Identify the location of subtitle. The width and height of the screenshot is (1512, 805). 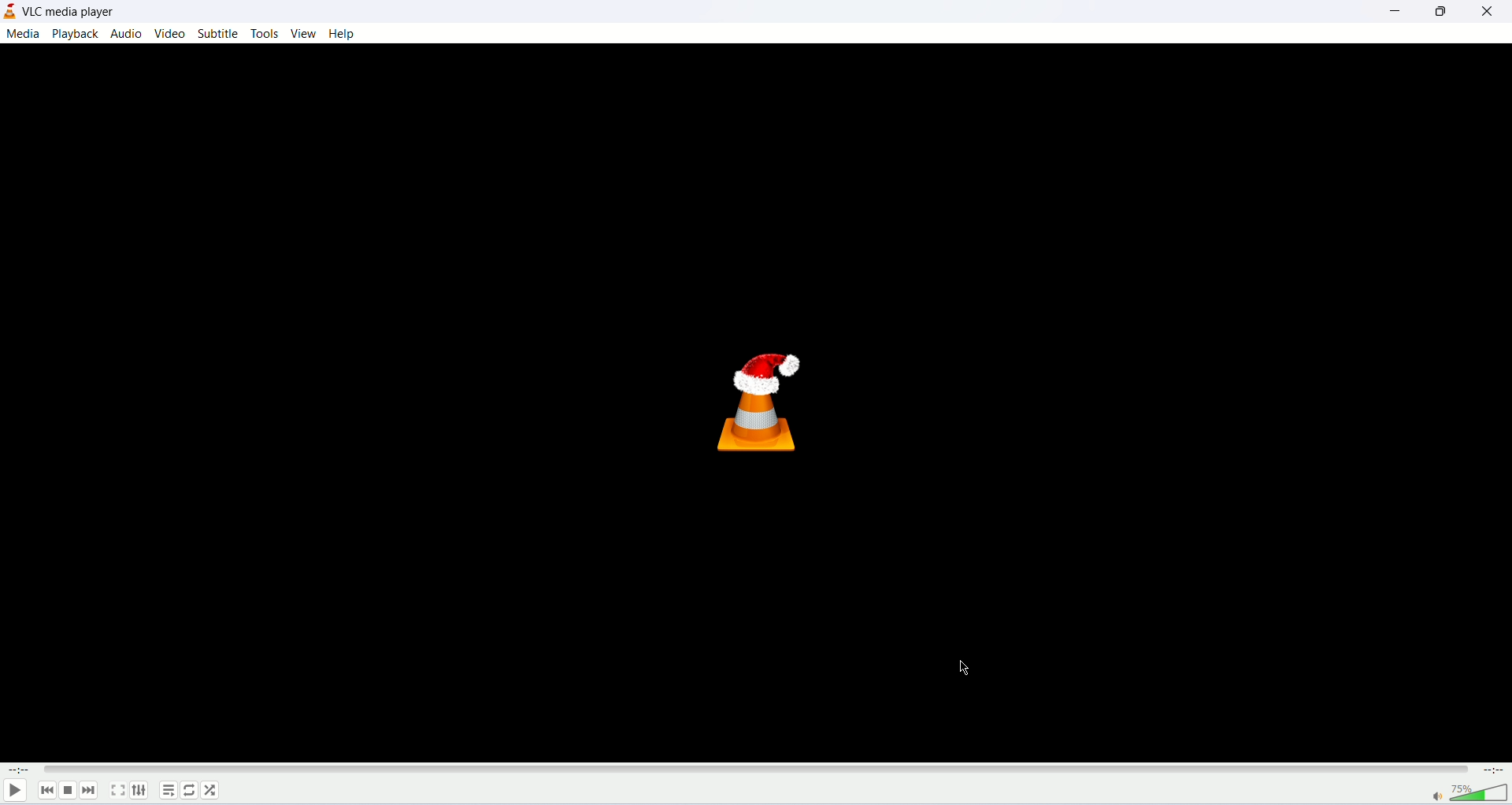
(218, 32).